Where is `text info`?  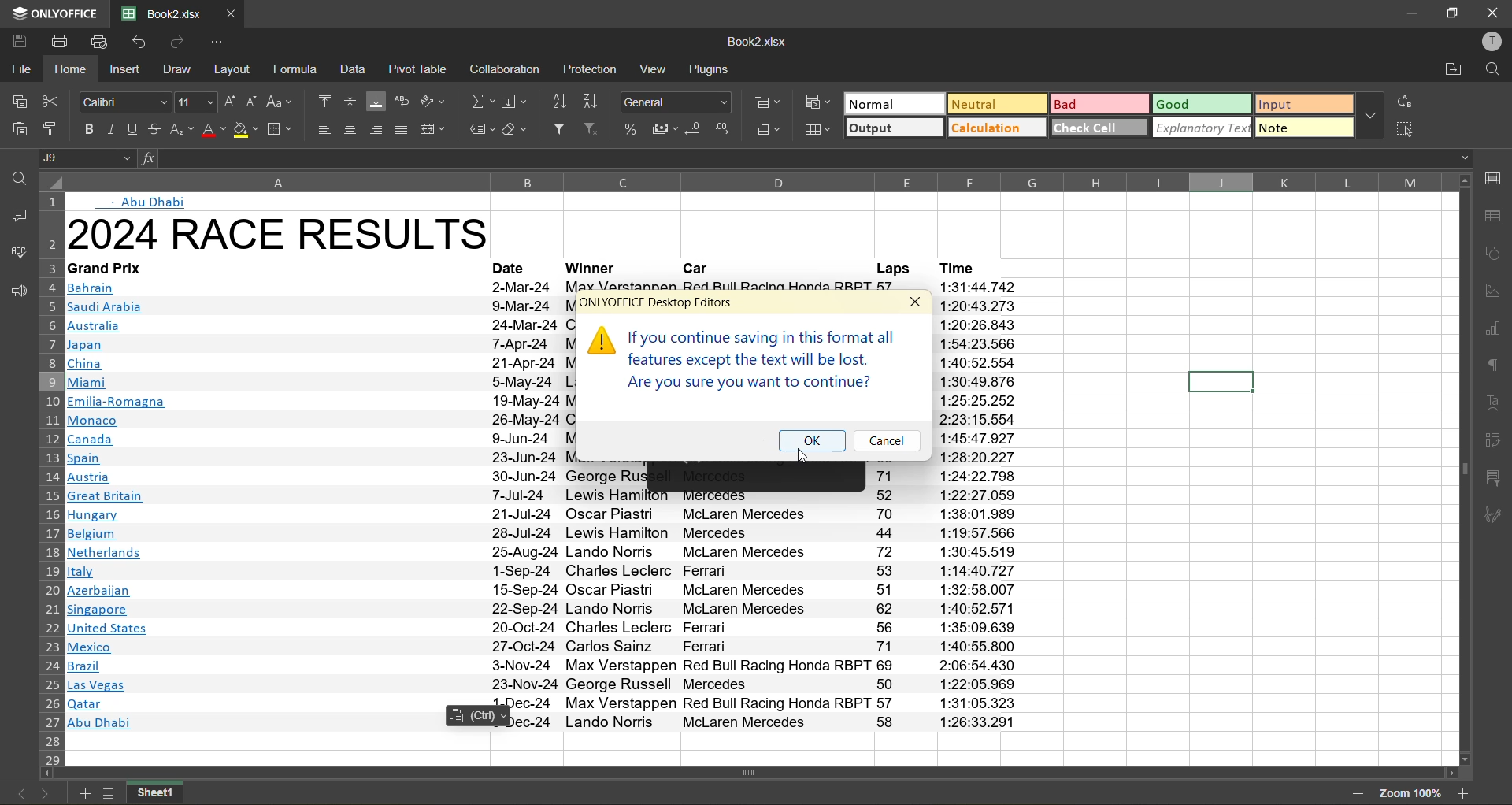 text info is located at coordinates (547, 704).